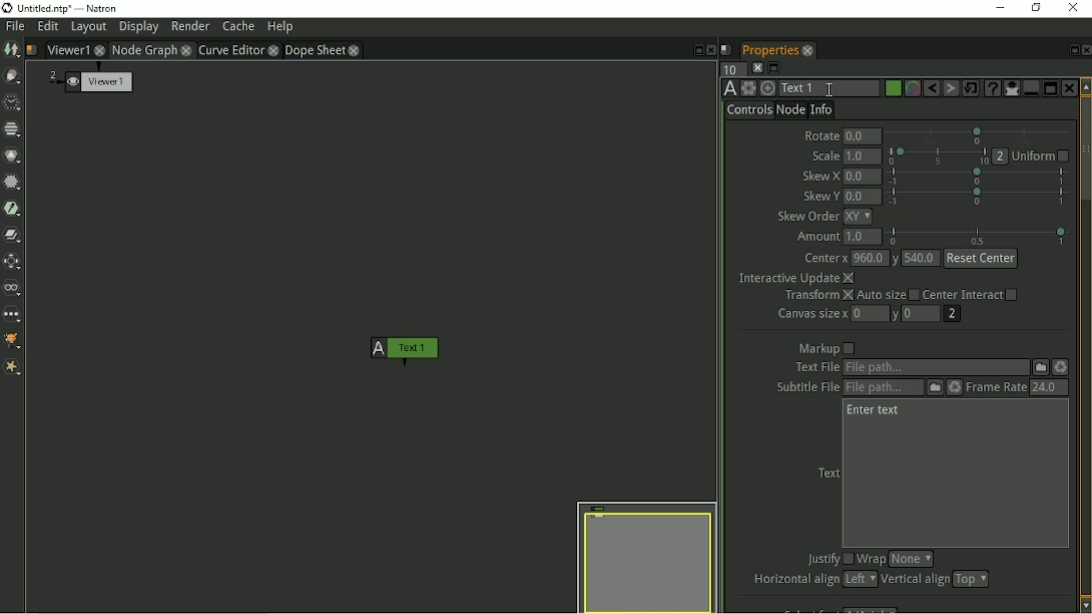 The height and width of the screenshot is (614, 1092). What do you see at coordinates (892, 88) in the screenshot?
I see `Choose color` at bounding box center [892, 88].